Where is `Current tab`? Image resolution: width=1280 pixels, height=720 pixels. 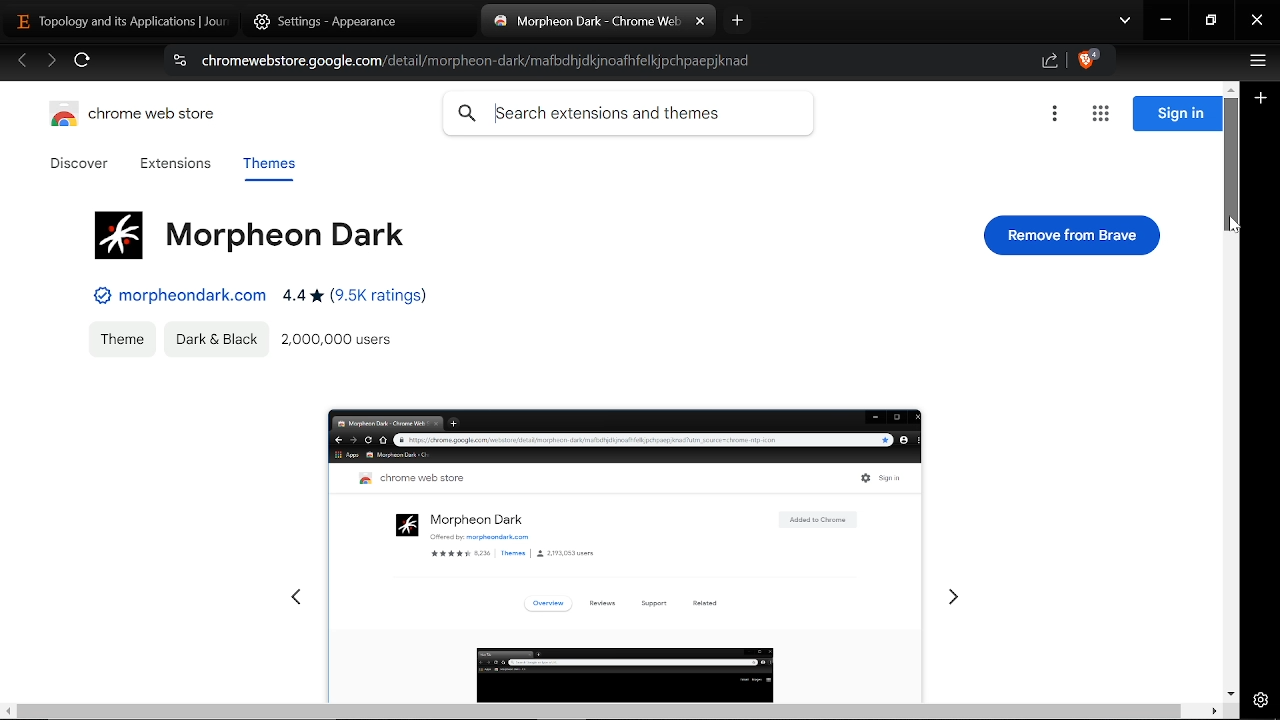 Current tab is located at coordinates (114, 20).